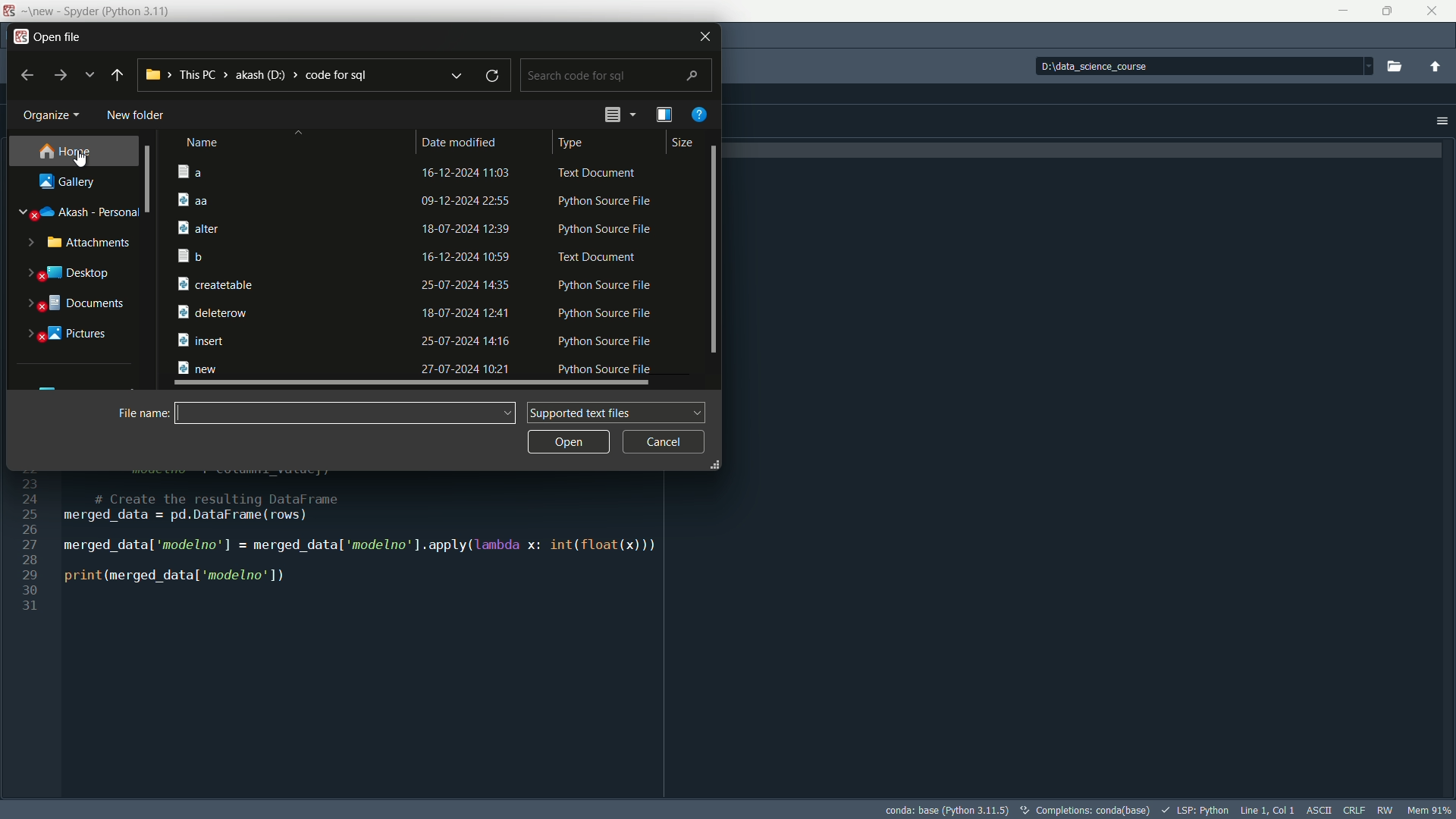 This screenshot has height=819, width=1456. What do you see at coordinates (282, 256) in the screenshot?
I see `file name` at bounding box center [282, 256].